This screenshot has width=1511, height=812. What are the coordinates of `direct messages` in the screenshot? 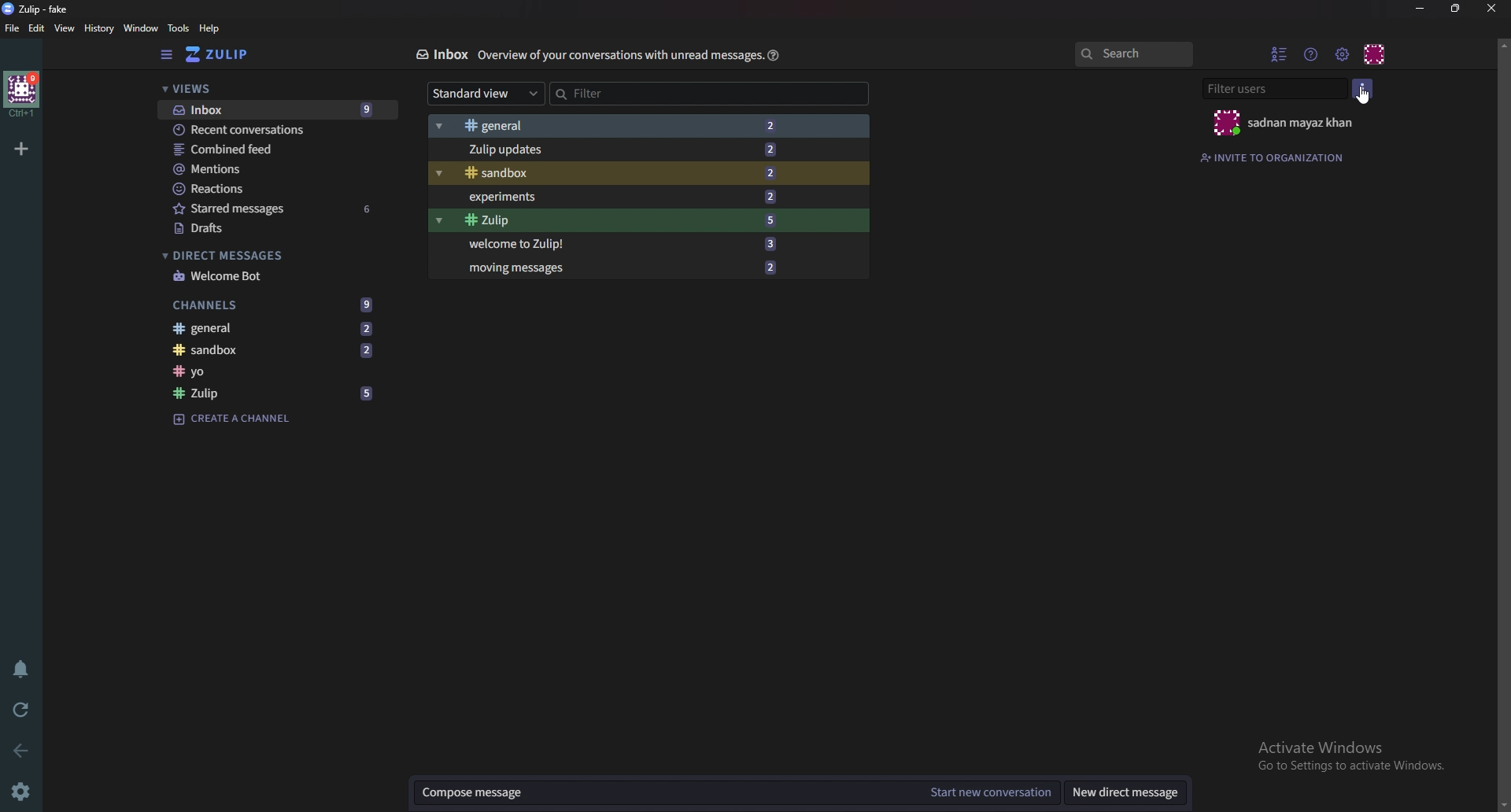 It's located at (270, 255).